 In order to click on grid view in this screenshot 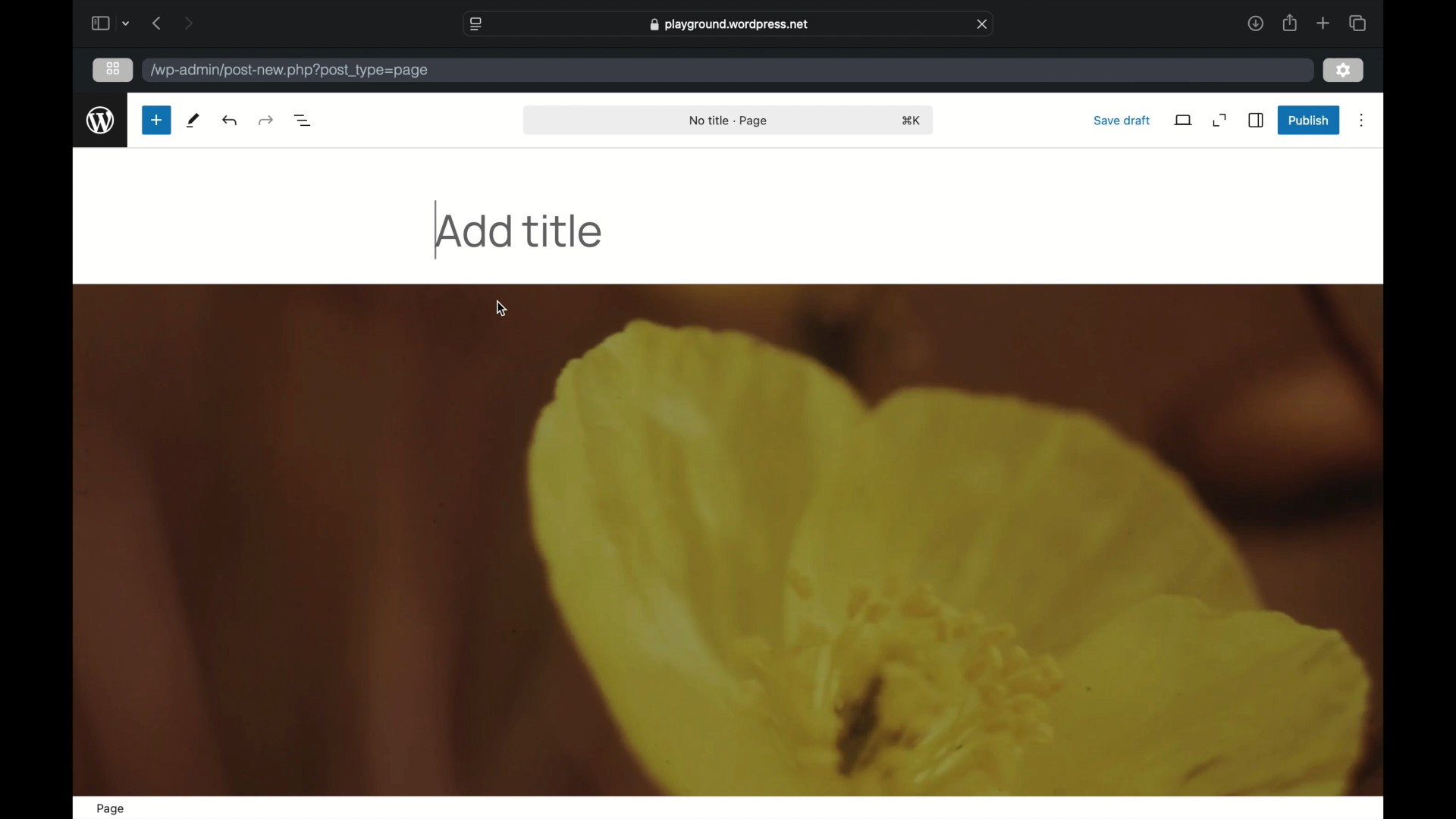, I will do `click(113, 69)`.